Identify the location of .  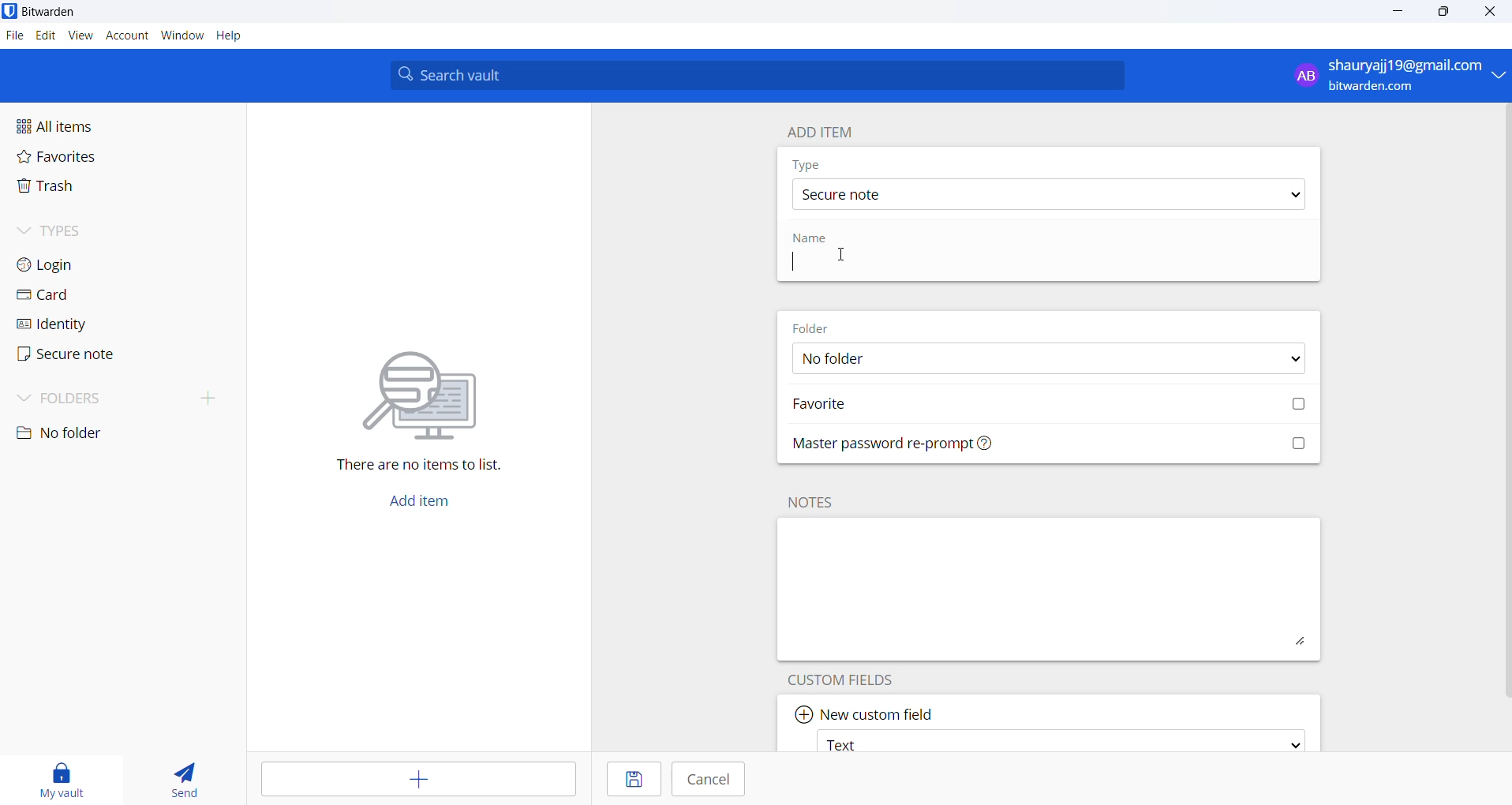
(815, 329).